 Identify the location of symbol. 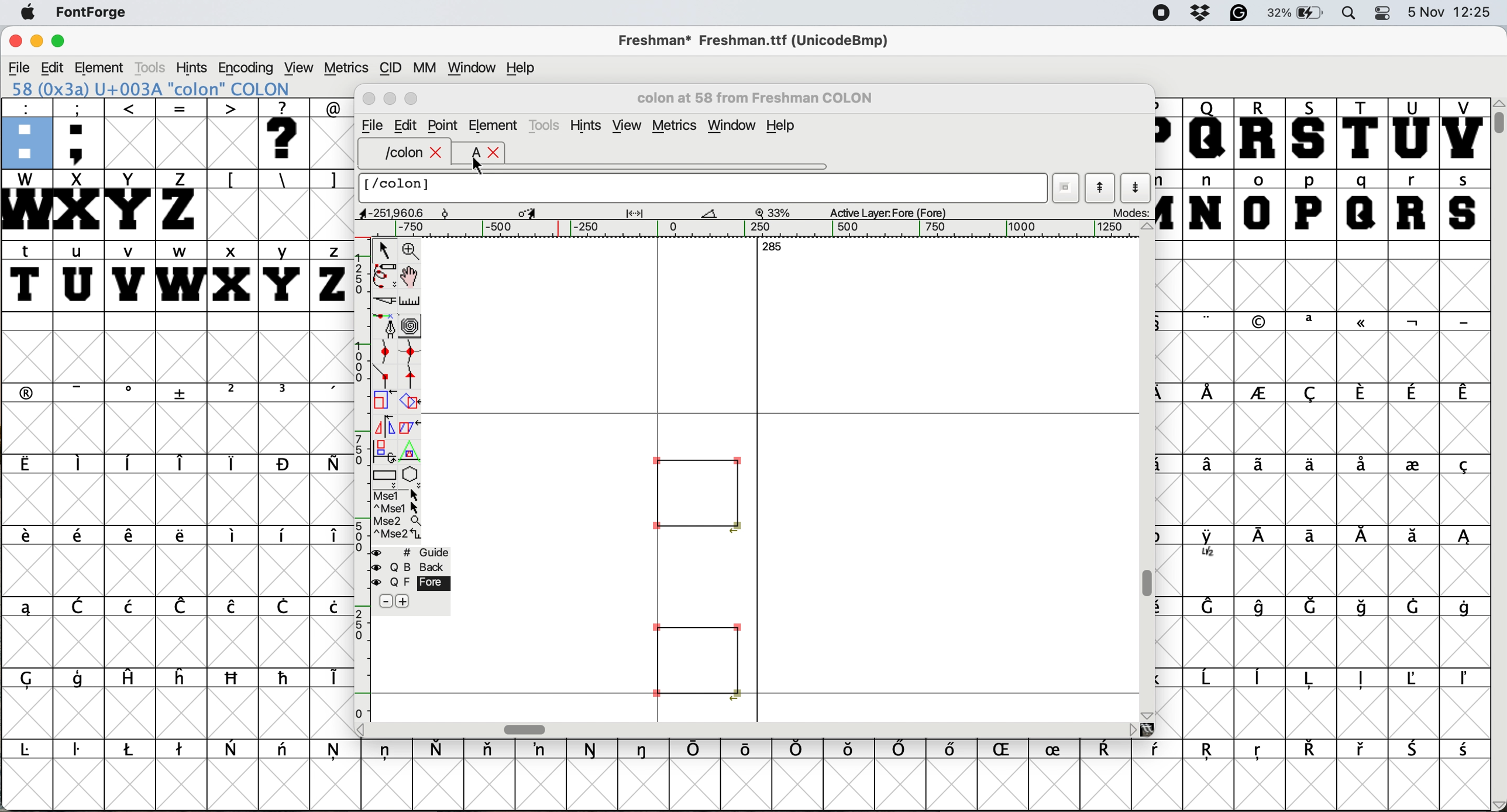
(1418, 678).